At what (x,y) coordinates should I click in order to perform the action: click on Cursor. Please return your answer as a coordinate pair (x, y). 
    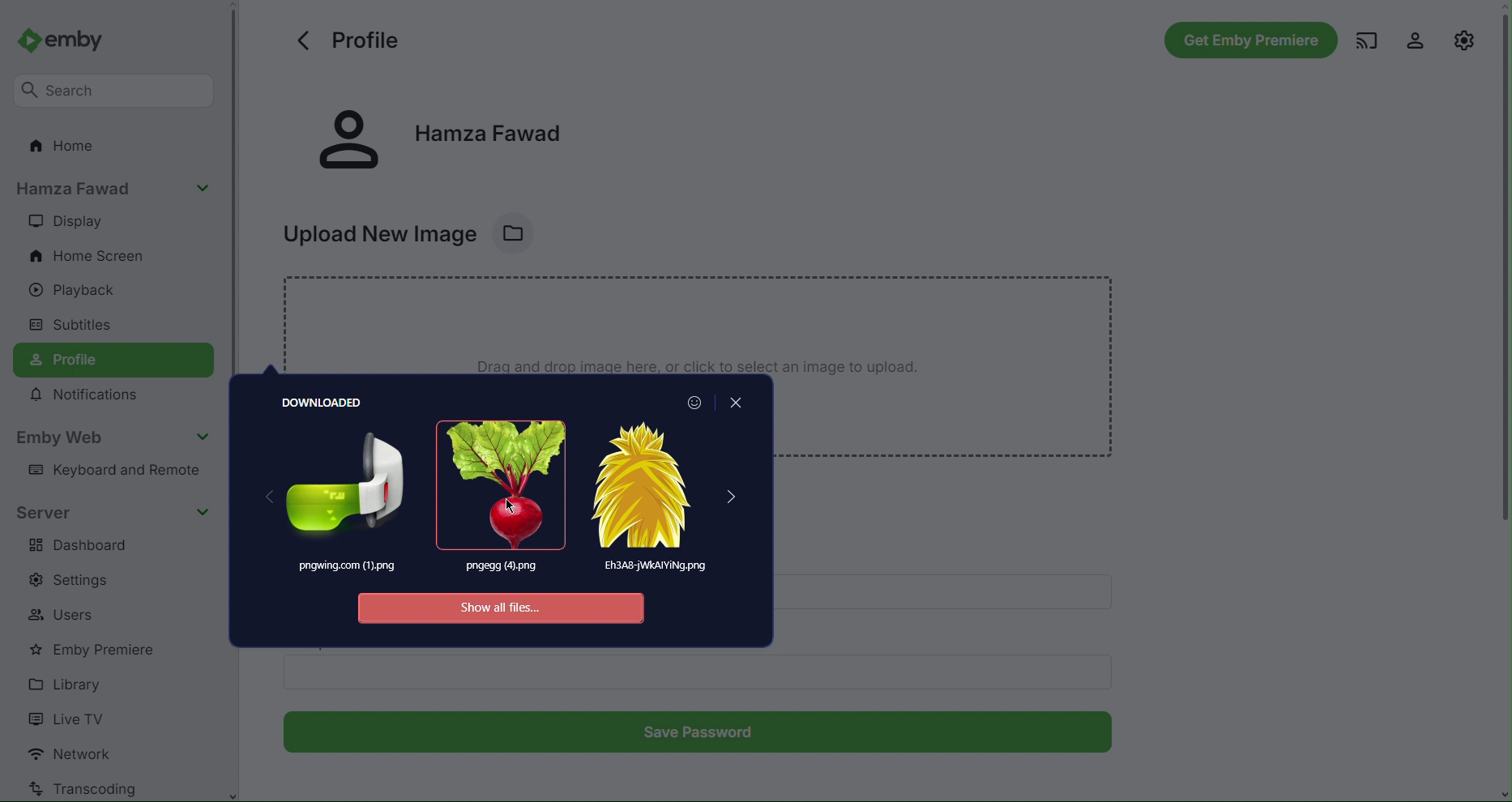
    Looking at the image, I should click on (510, 506).